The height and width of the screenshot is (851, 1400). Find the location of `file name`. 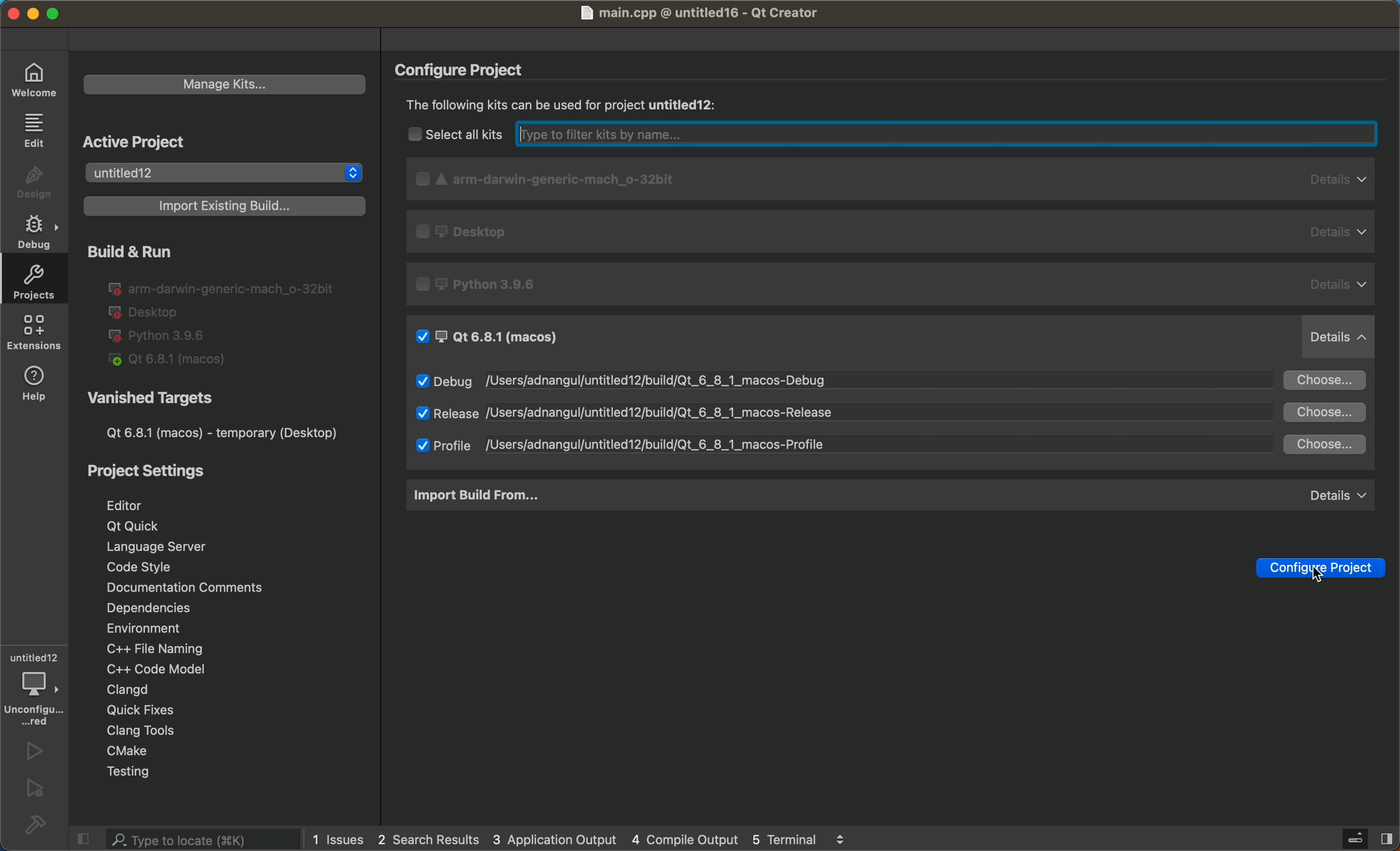

file name is located at coordinates (705, 14).